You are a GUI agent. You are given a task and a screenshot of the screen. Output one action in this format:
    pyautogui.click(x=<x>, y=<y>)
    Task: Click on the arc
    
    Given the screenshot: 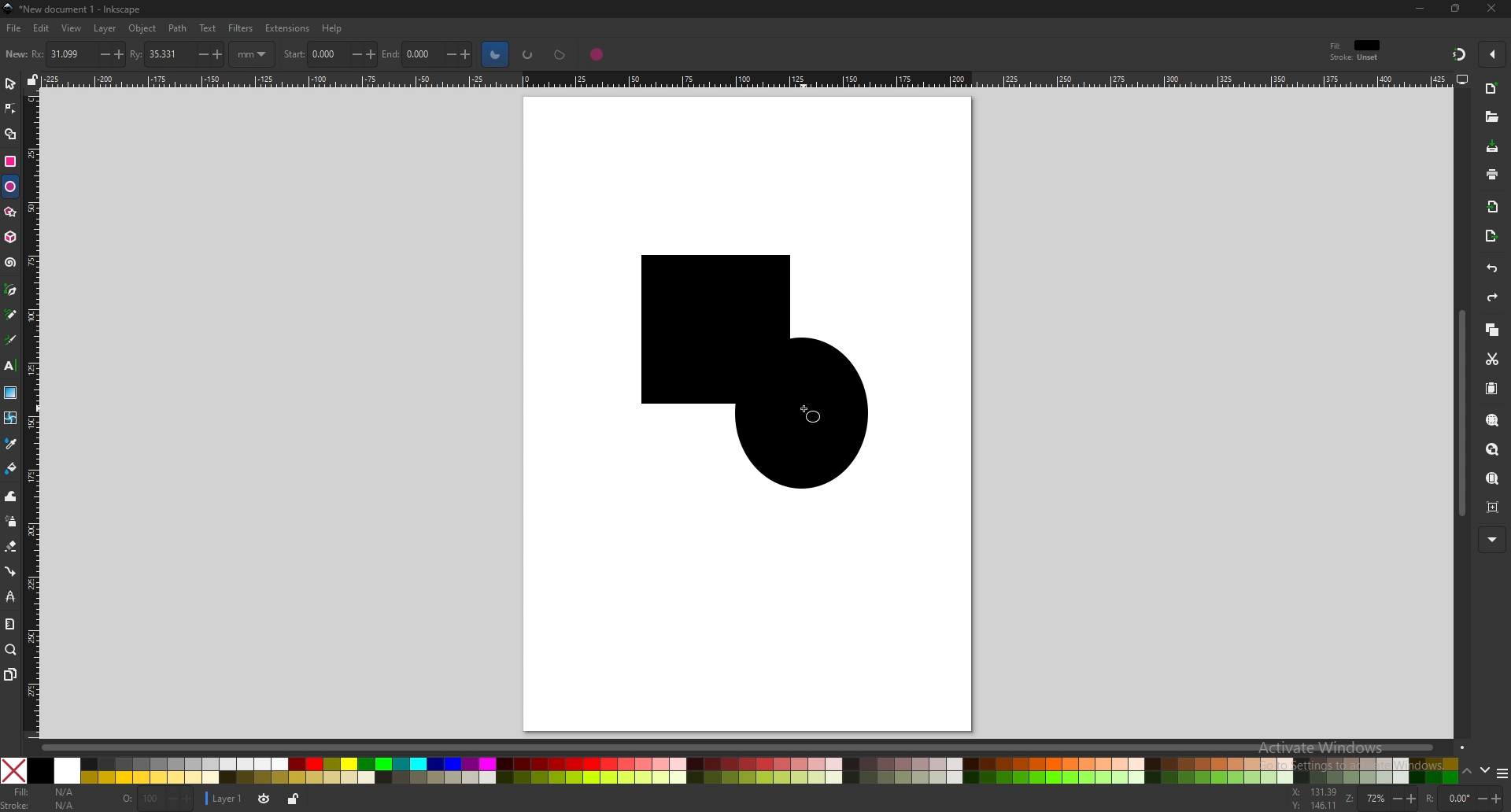 What is the action you would take?
    pyautogui.click(x=526, y=54)
    